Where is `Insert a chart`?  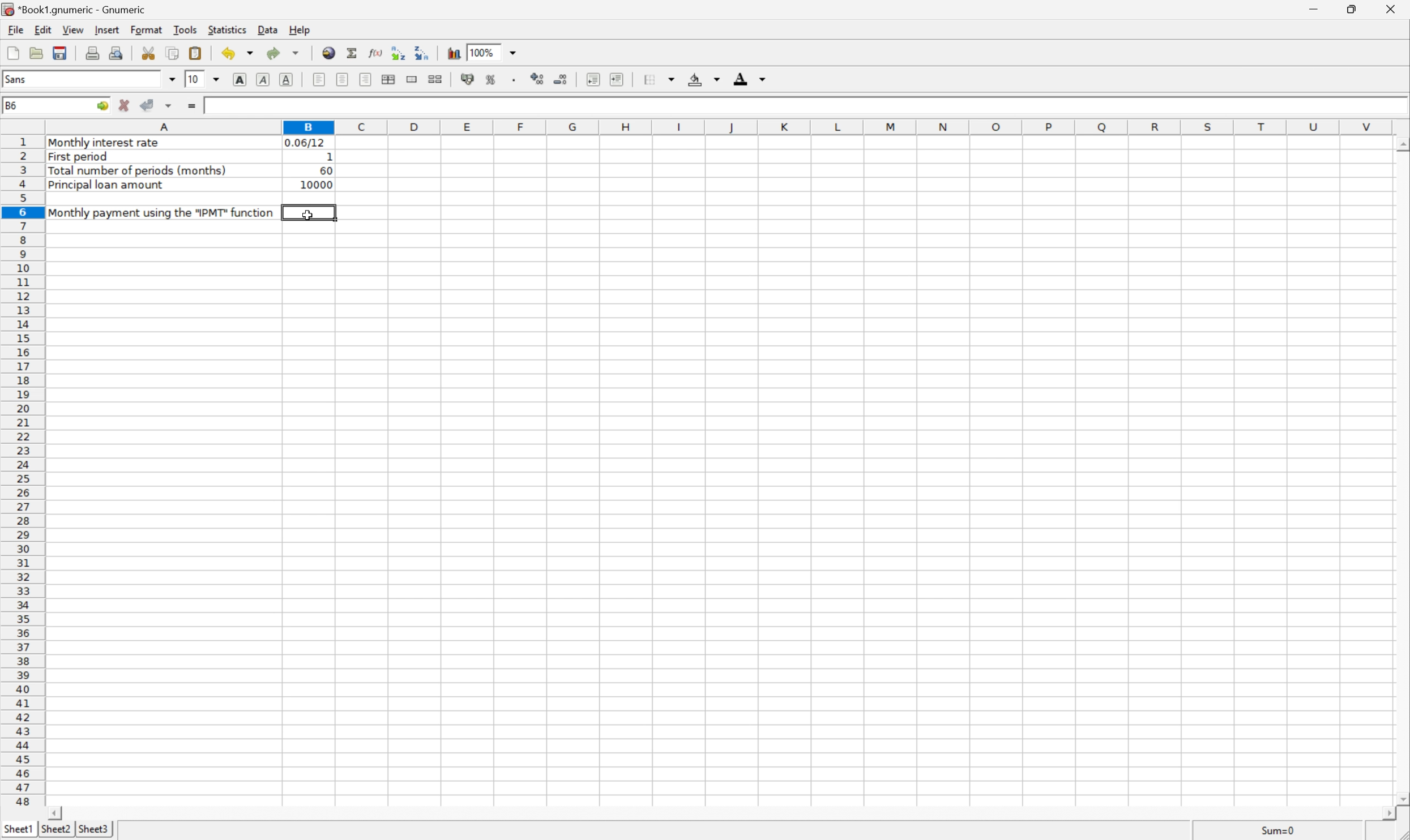
Insert a chart is located at coordinates (454, 53).